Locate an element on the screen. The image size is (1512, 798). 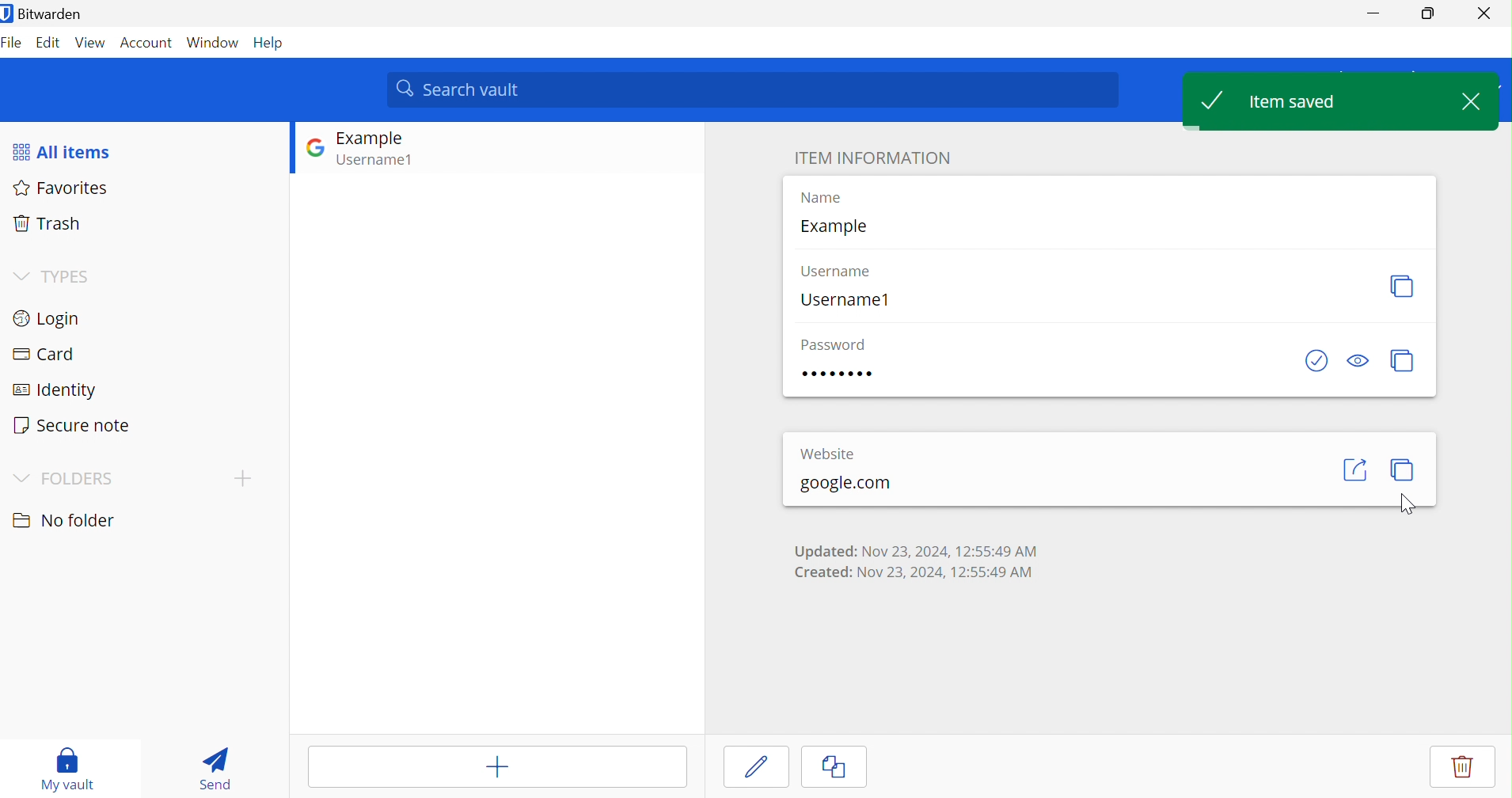
Close is located at coordinates (1471, 101).